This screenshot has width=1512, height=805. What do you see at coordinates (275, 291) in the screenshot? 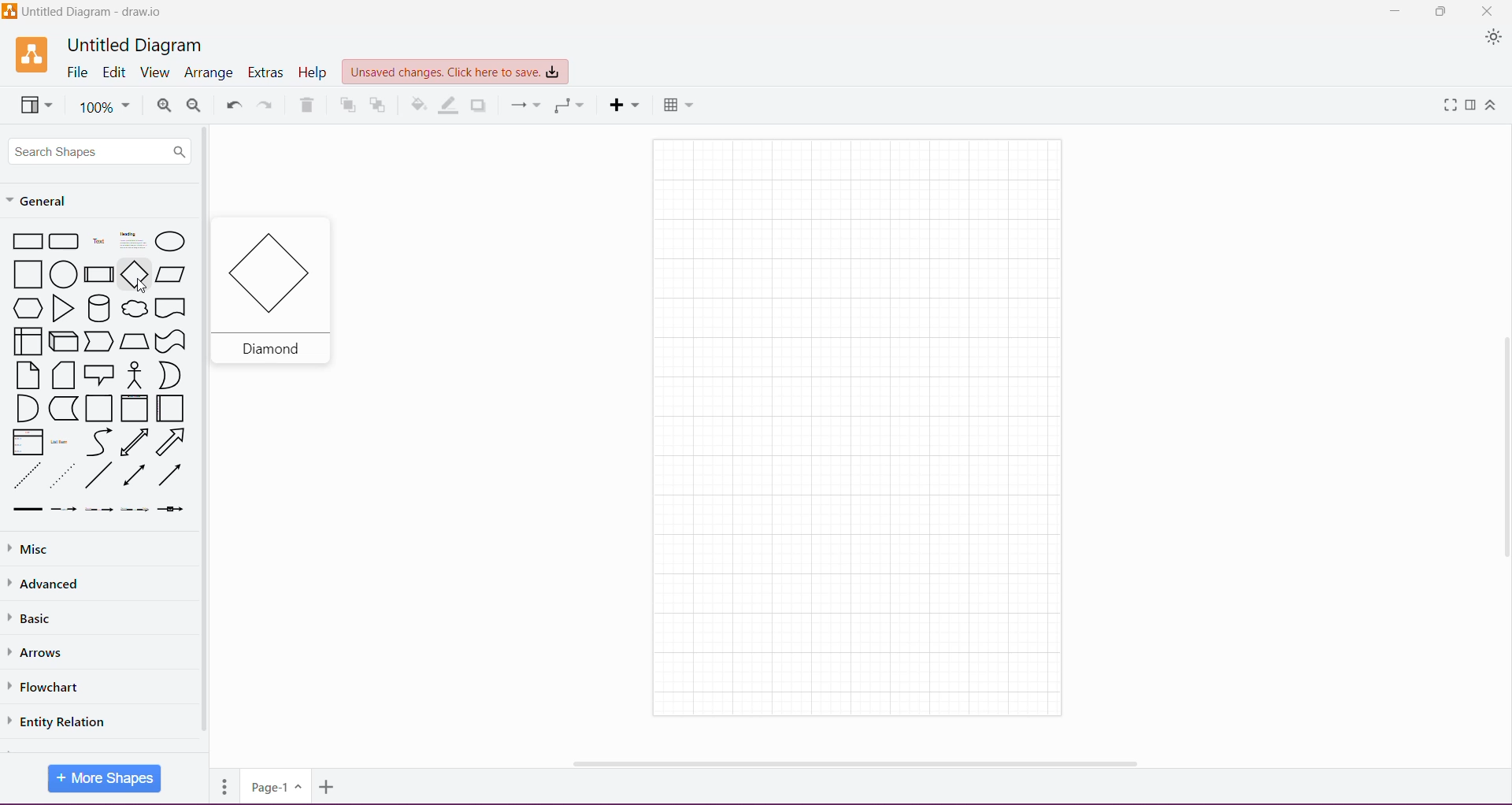
I see `Selected shape Diamond` at bounding box center [275, 291].